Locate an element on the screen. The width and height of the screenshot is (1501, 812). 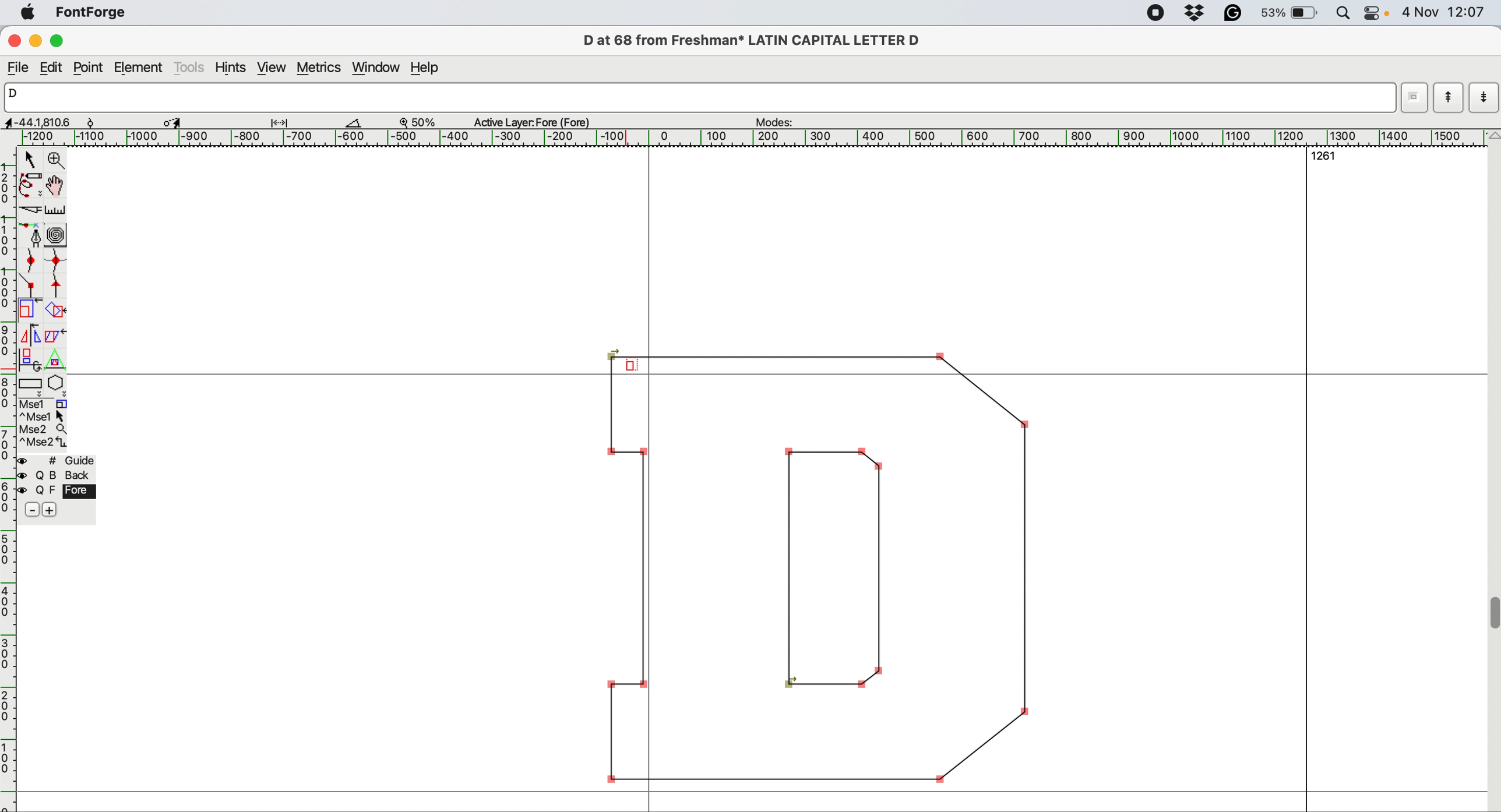
Q F fore is located at coordinates (60, 493).